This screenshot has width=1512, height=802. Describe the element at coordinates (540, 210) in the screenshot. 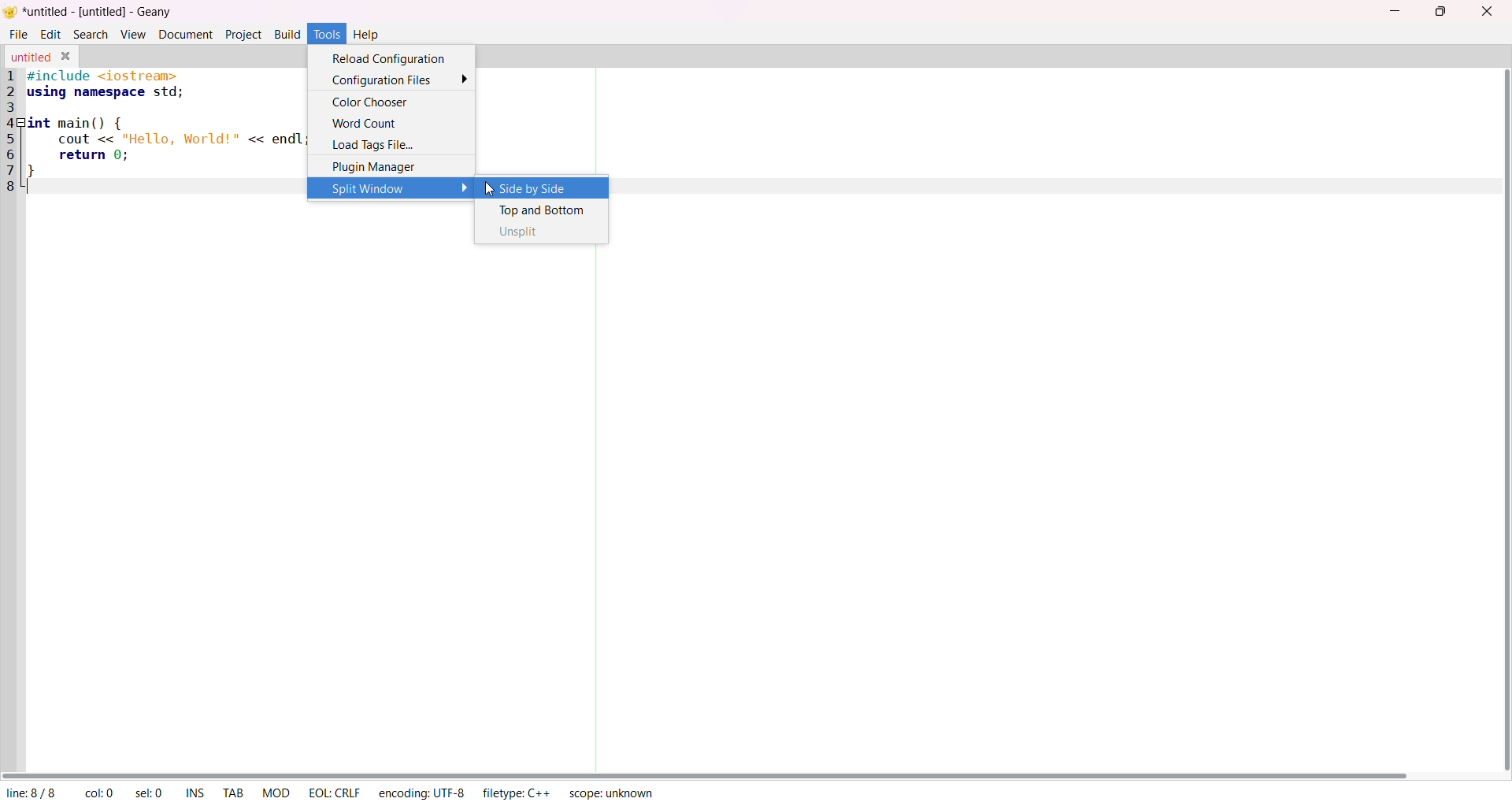

I see `Top and Bottom` at that location.